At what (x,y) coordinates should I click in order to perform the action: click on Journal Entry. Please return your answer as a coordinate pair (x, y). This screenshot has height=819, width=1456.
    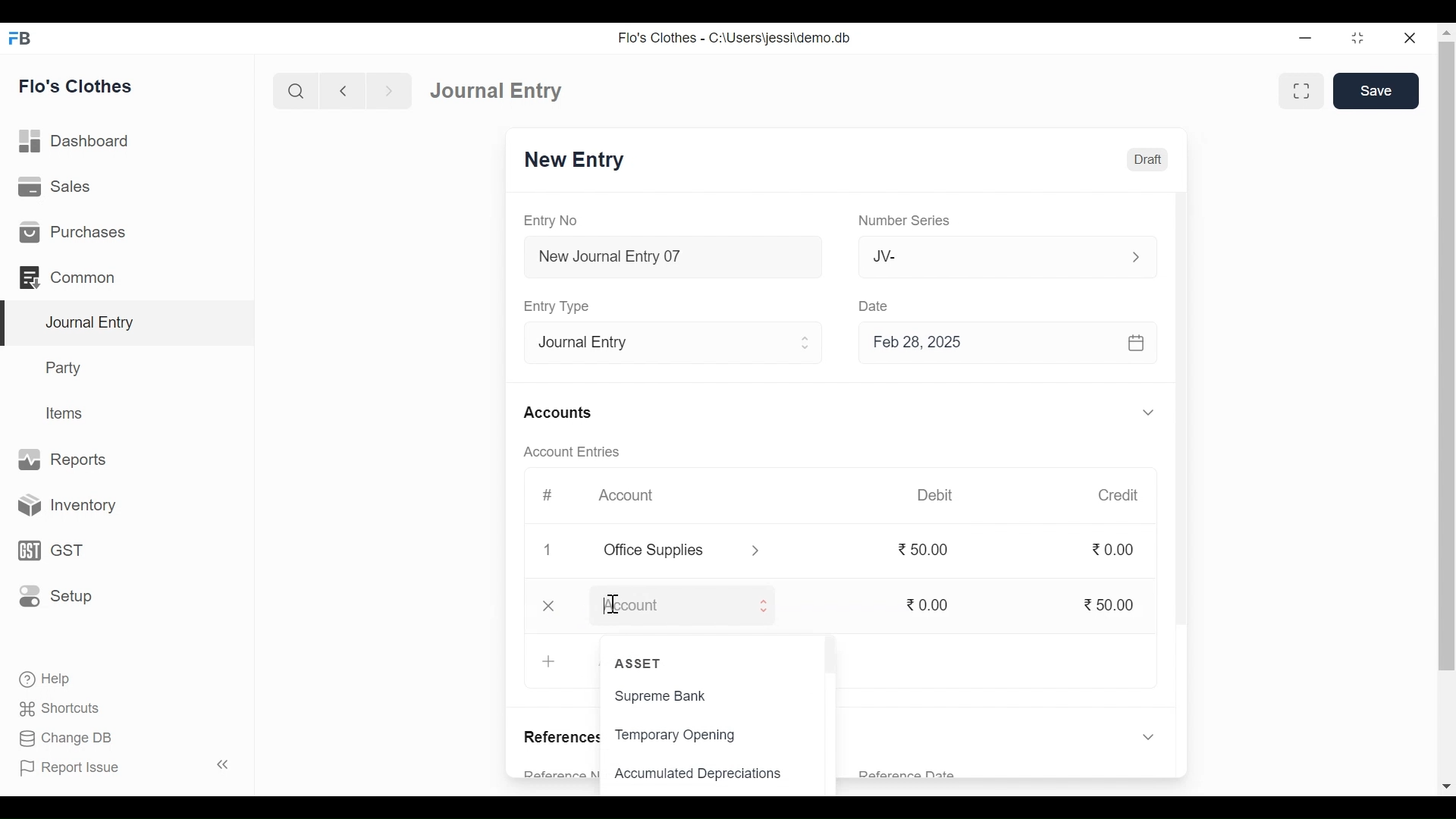
    Looking at the image, I should click on (502, 90).